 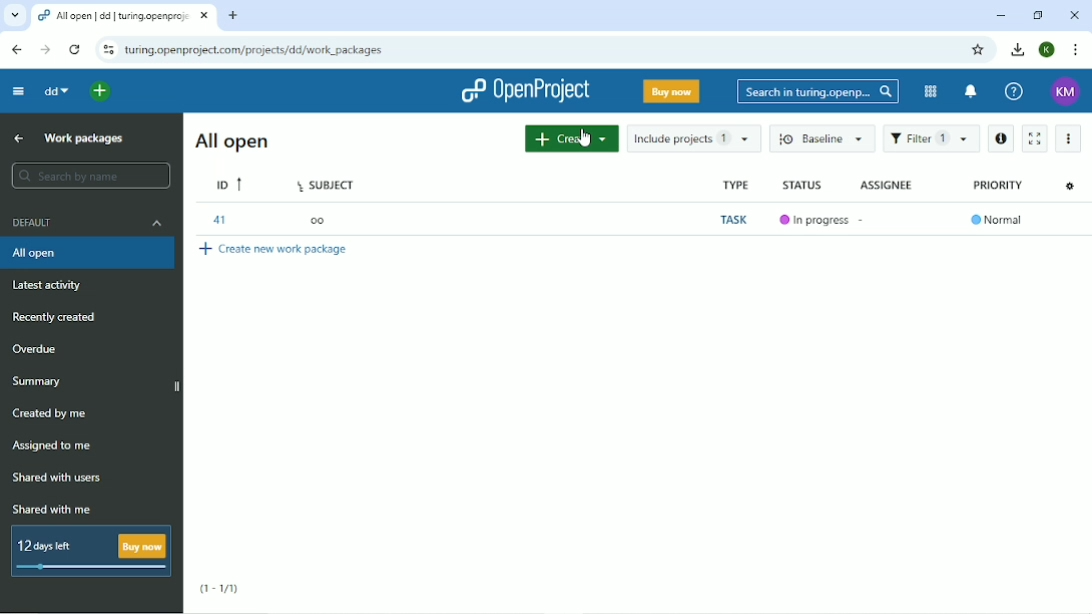 What do you see at coordinates (1014, 92) in the screenshot?
I see `Help` at bounding box center [1014, 92].